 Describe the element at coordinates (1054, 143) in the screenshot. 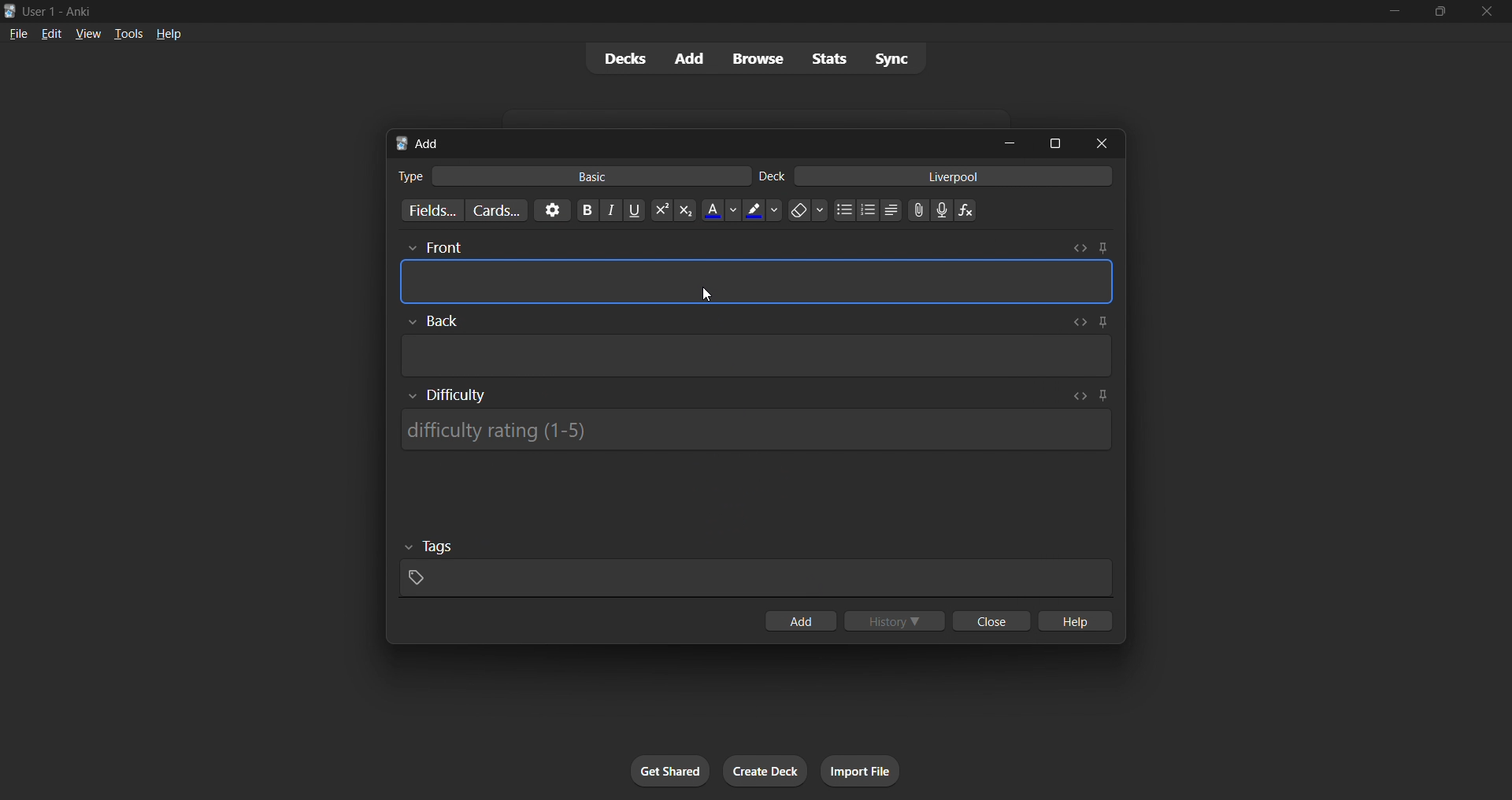

I see `maximize` at that location.